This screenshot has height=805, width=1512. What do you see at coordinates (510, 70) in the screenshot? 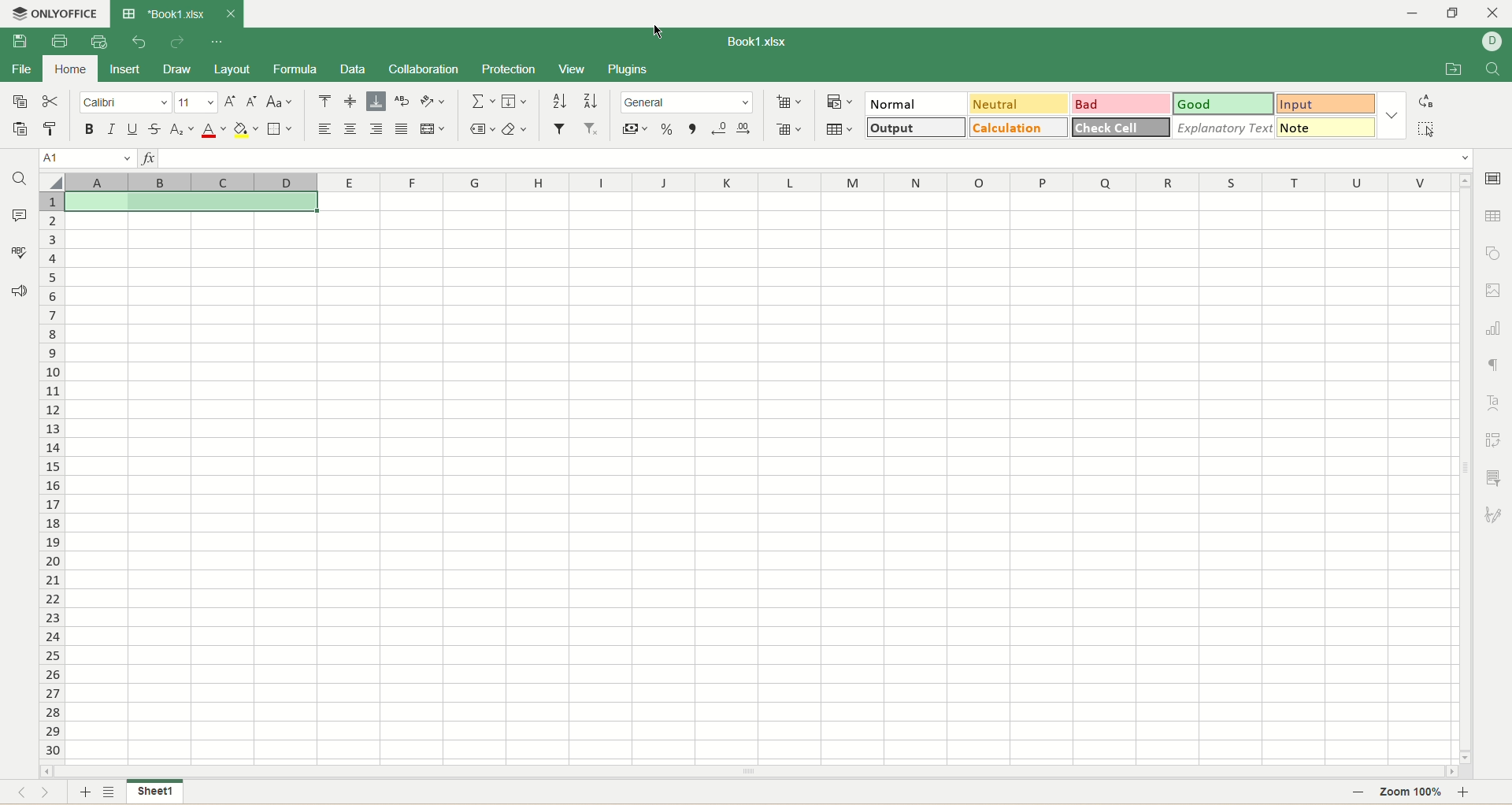
I see `protection` at bounding box center [510, 70].